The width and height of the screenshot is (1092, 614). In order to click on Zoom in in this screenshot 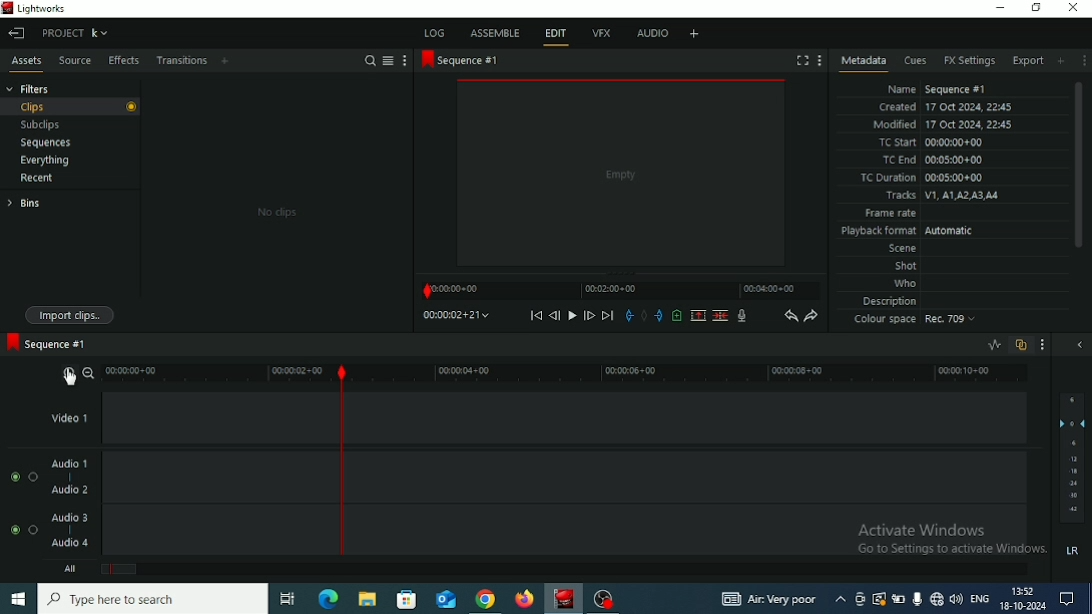, I will do `click(67, 376)`.